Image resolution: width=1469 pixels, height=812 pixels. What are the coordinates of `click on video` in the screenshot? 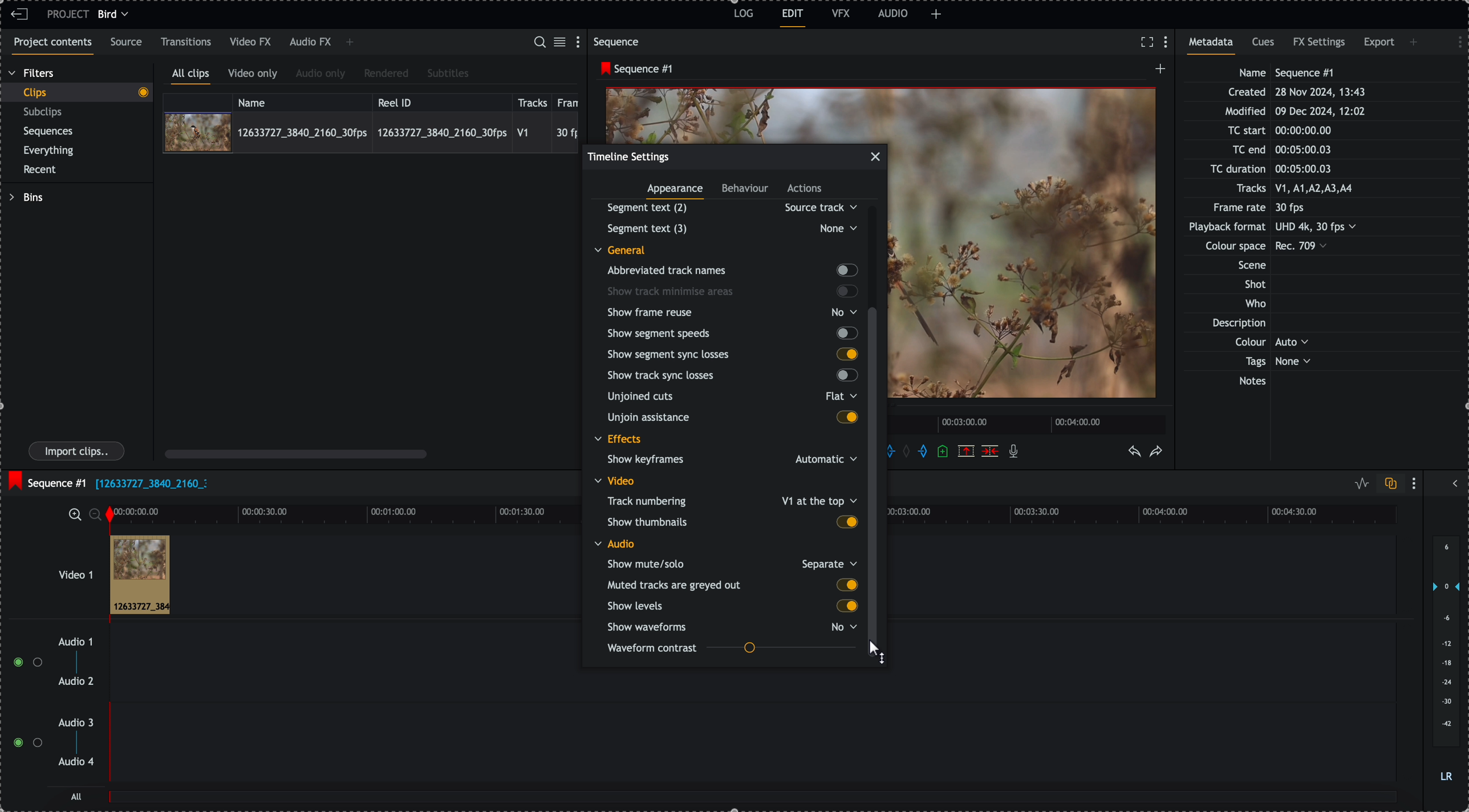 It's located at (371, 132).